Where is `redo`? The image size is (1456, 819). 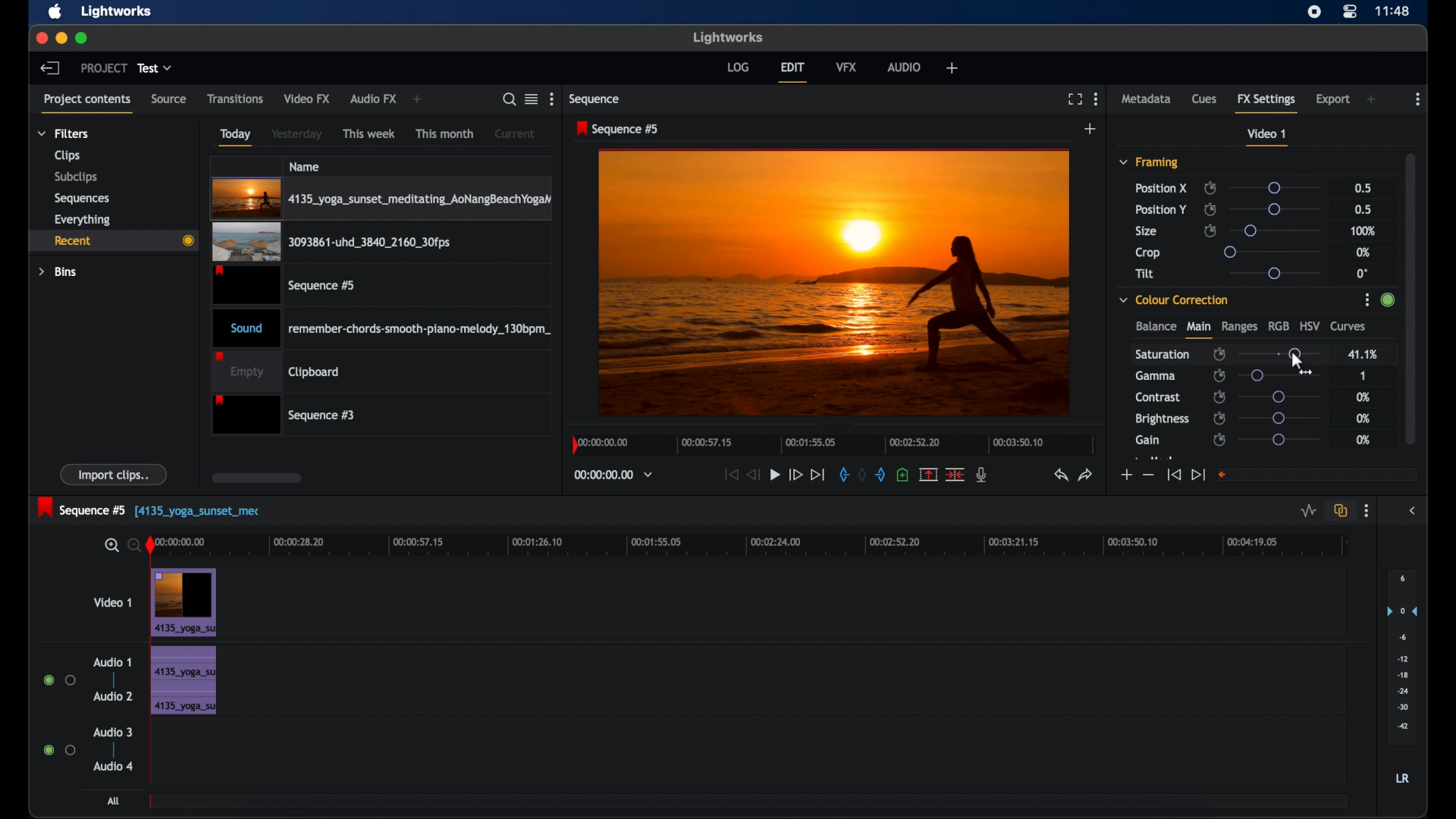 redo is located at coordinates (1086, 475).